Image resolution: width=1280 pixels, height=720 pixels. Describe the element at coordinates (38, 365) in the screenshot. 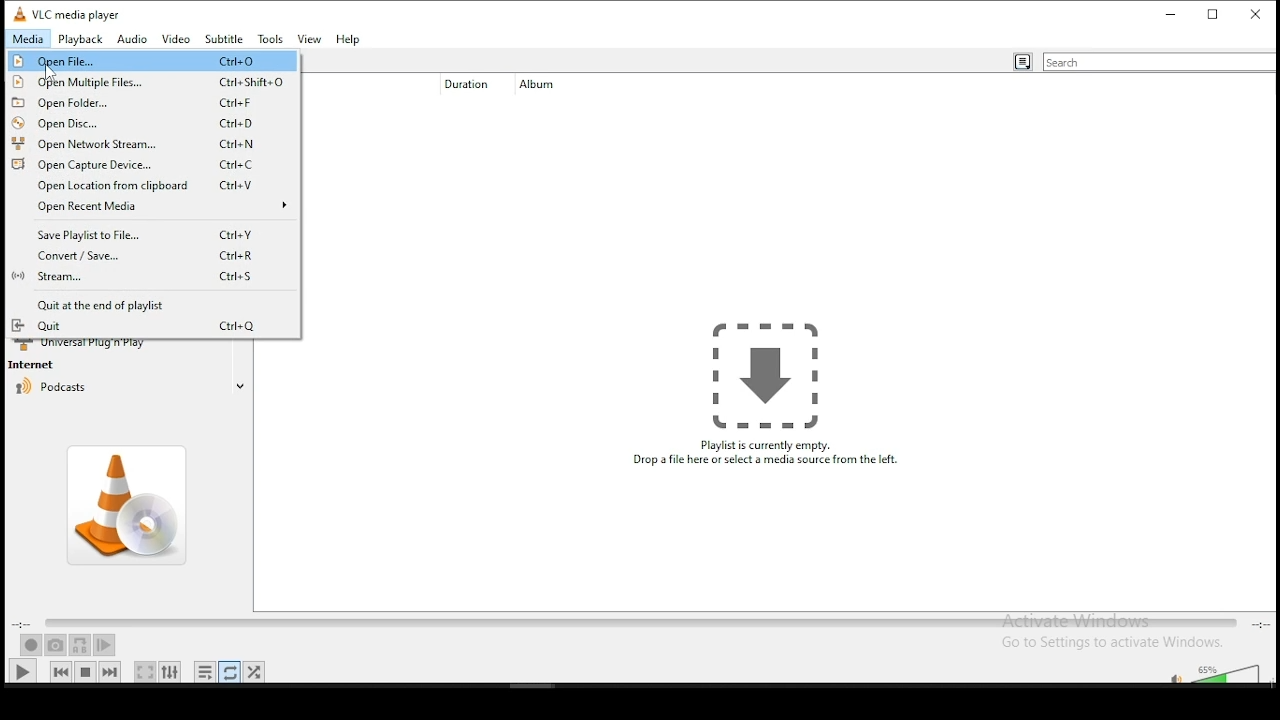

I see `internet` at that location.